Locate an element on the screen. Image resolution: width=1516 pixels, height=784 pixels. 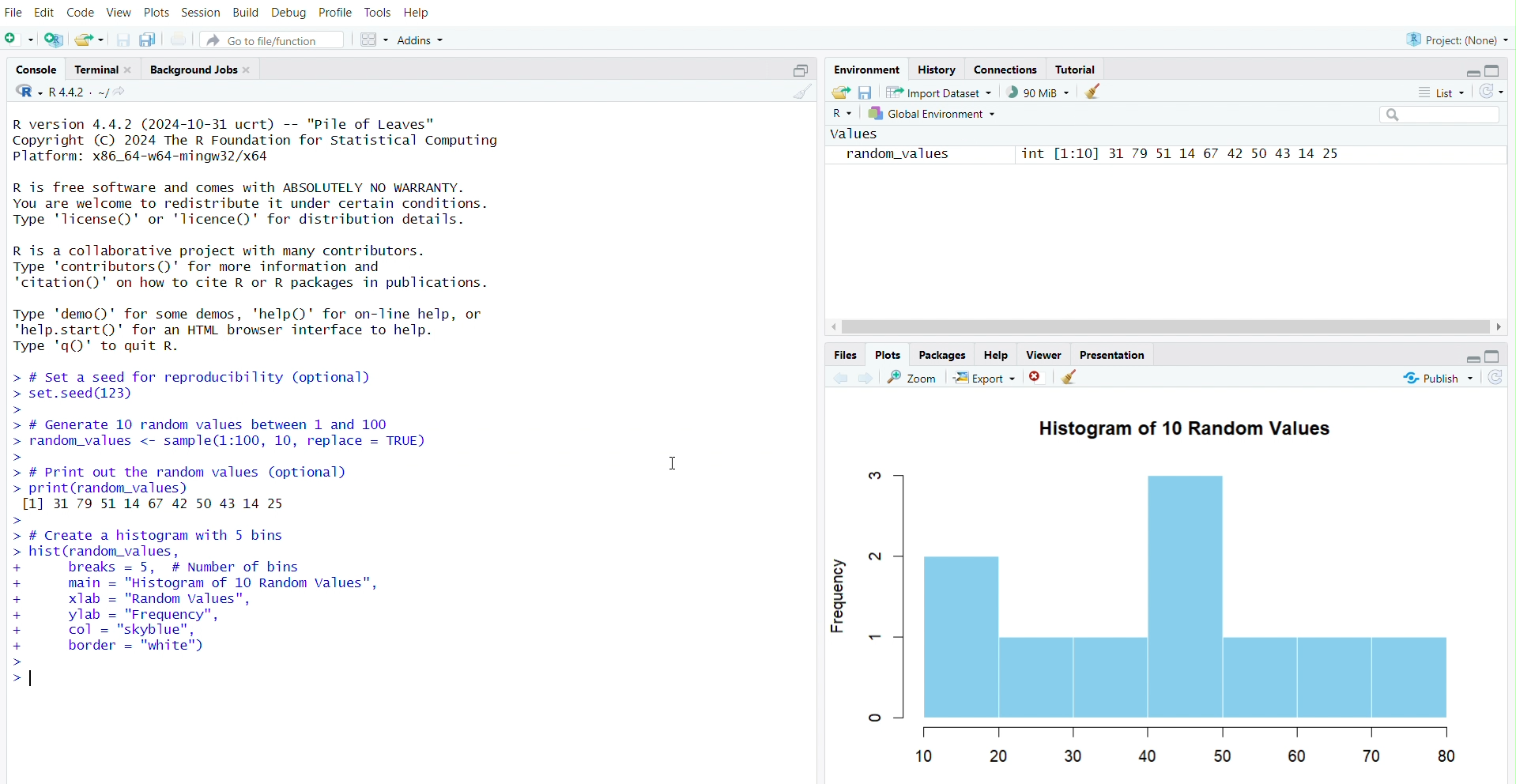
clear all plots is located at coordinates (1073, 377).